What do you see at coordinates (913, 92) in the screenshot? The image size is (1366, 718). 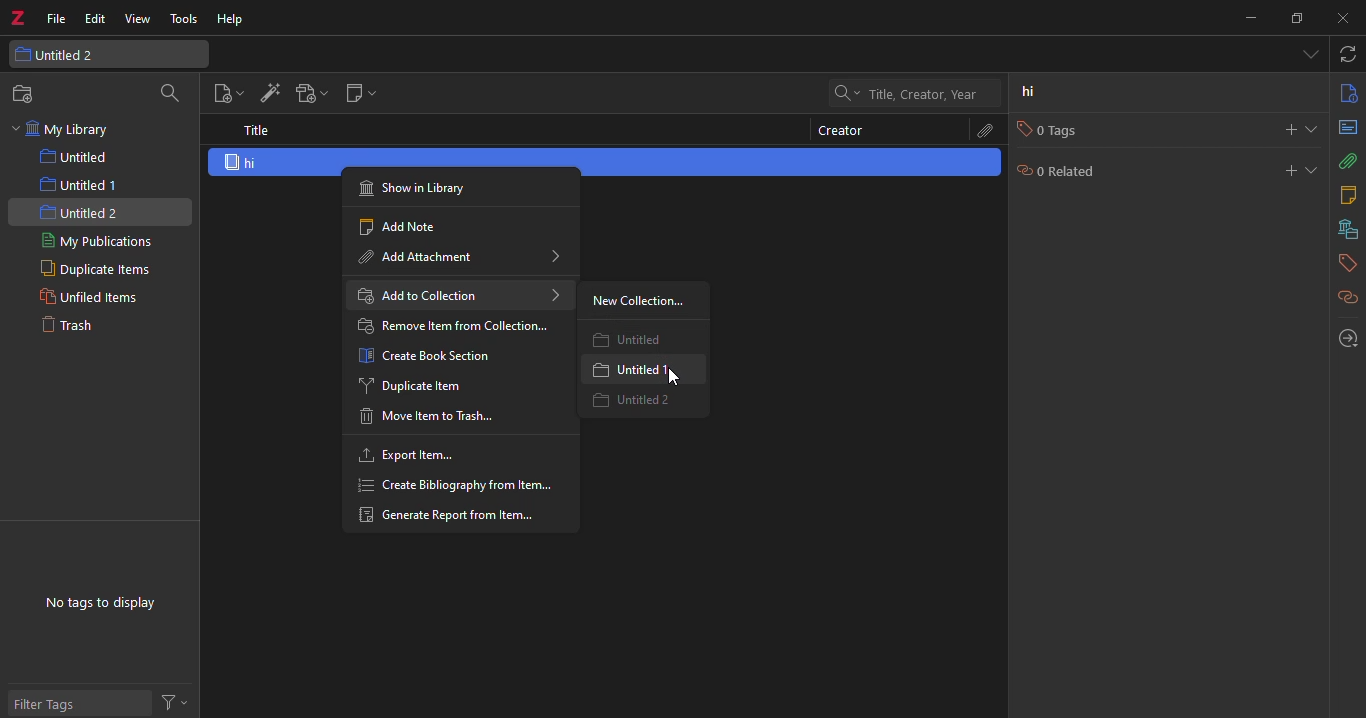 I see `search` at bounding box center [913, 92].